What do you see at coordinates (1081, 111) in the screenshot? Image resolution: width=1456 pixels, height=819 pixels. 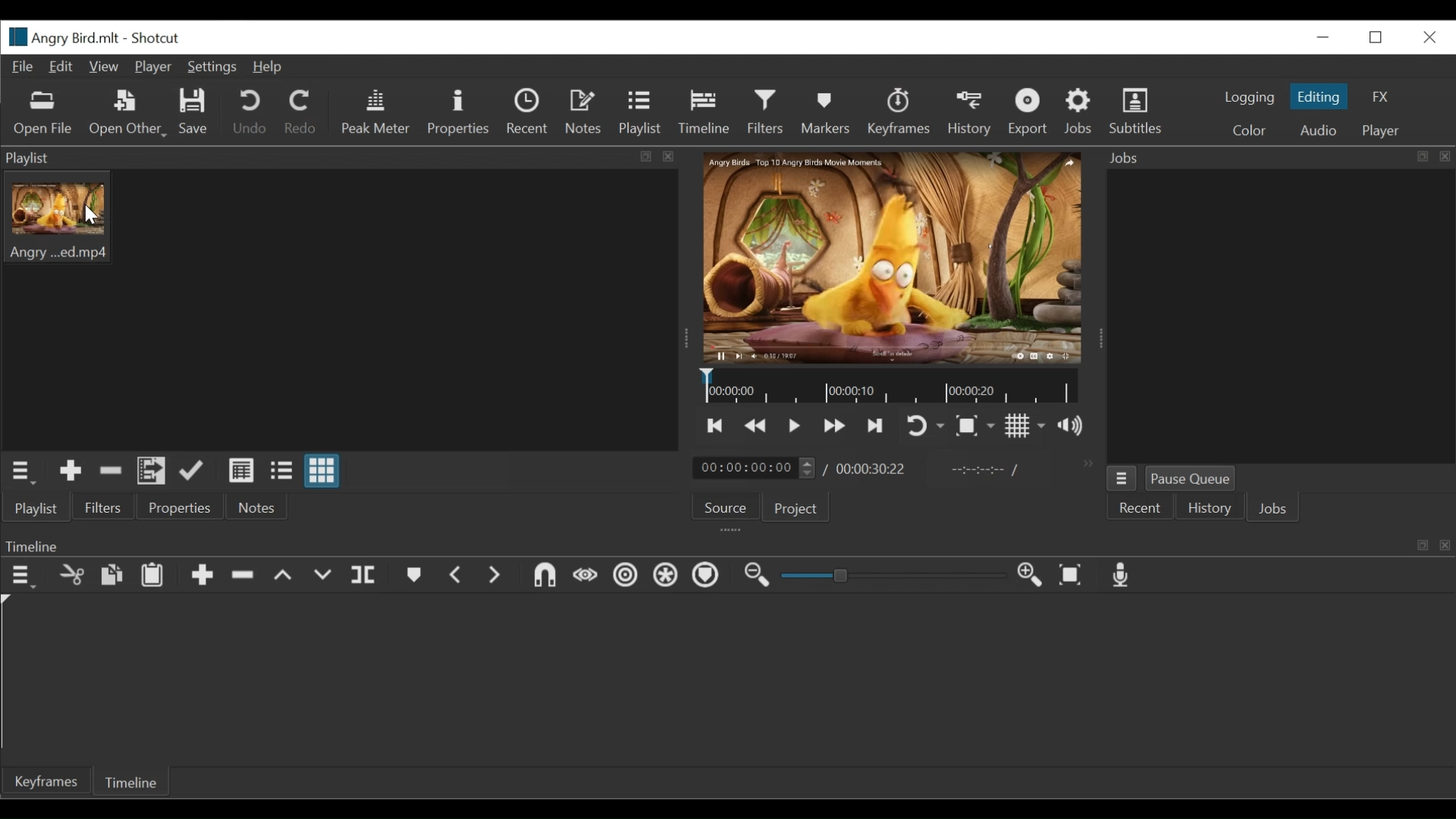 I see `Jobs` at bounding box center [1081, 111].